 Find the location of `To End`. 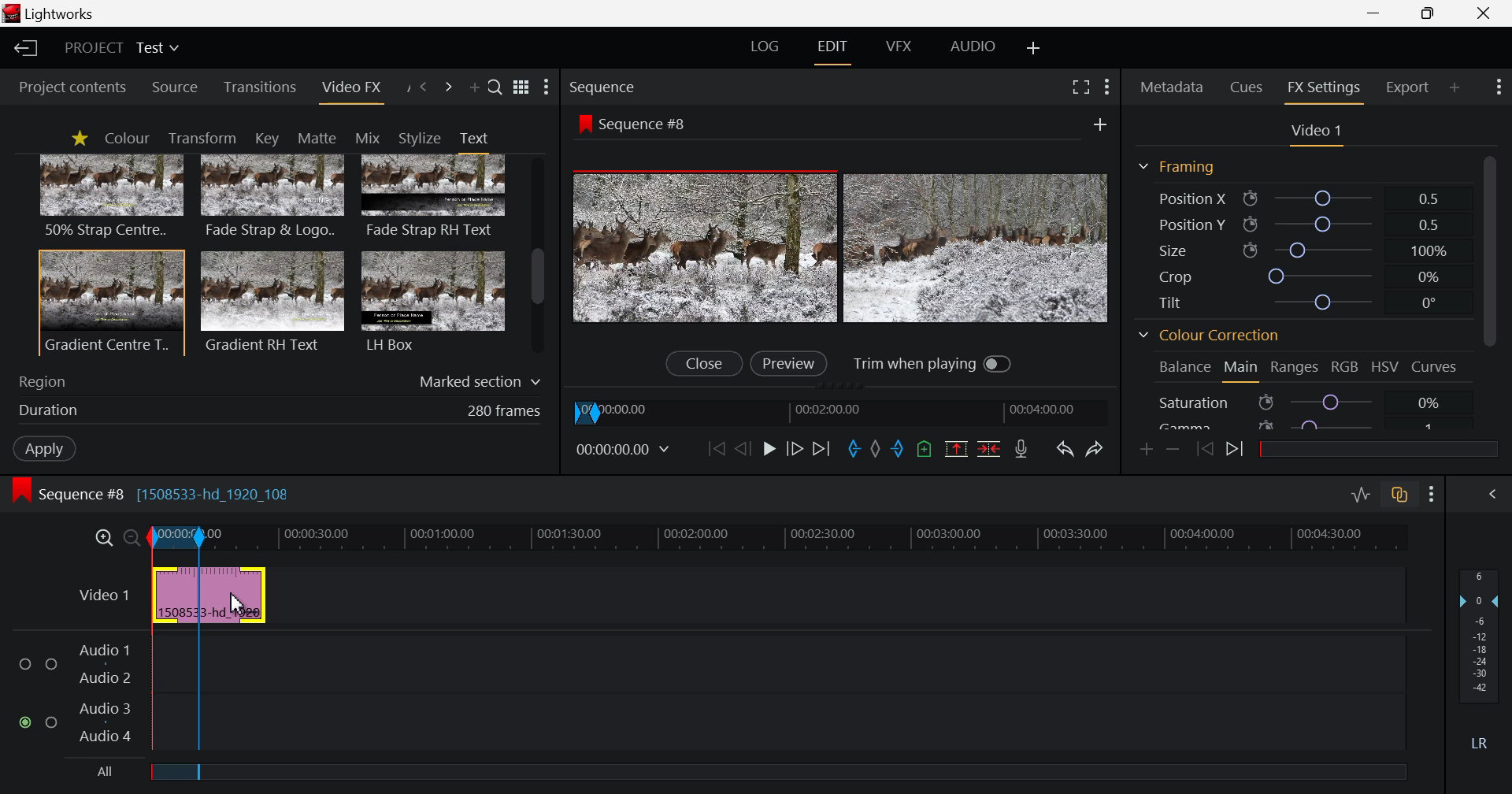

To End is located at coordinates (823, 448).